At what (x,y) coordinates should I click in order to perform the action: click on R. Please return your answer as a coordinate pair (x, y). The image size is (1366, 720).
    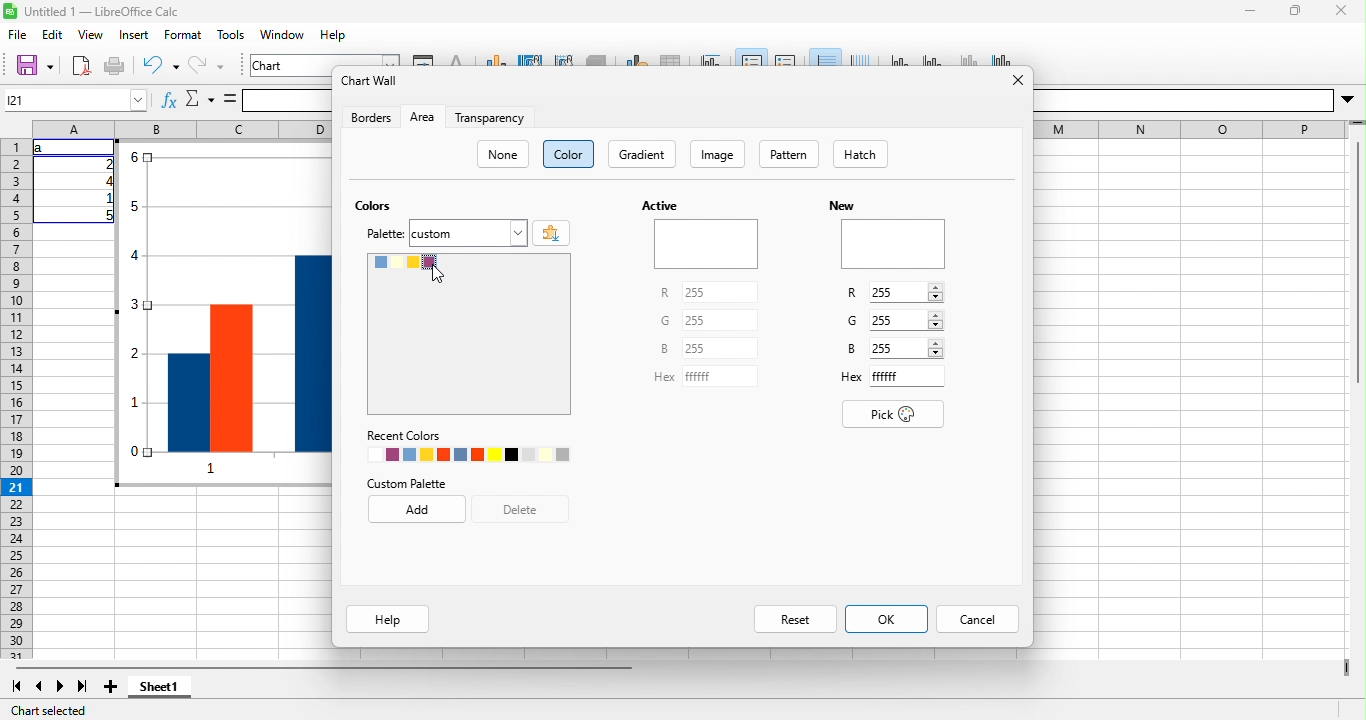
    Looking at the image, I should click on (665, 292).